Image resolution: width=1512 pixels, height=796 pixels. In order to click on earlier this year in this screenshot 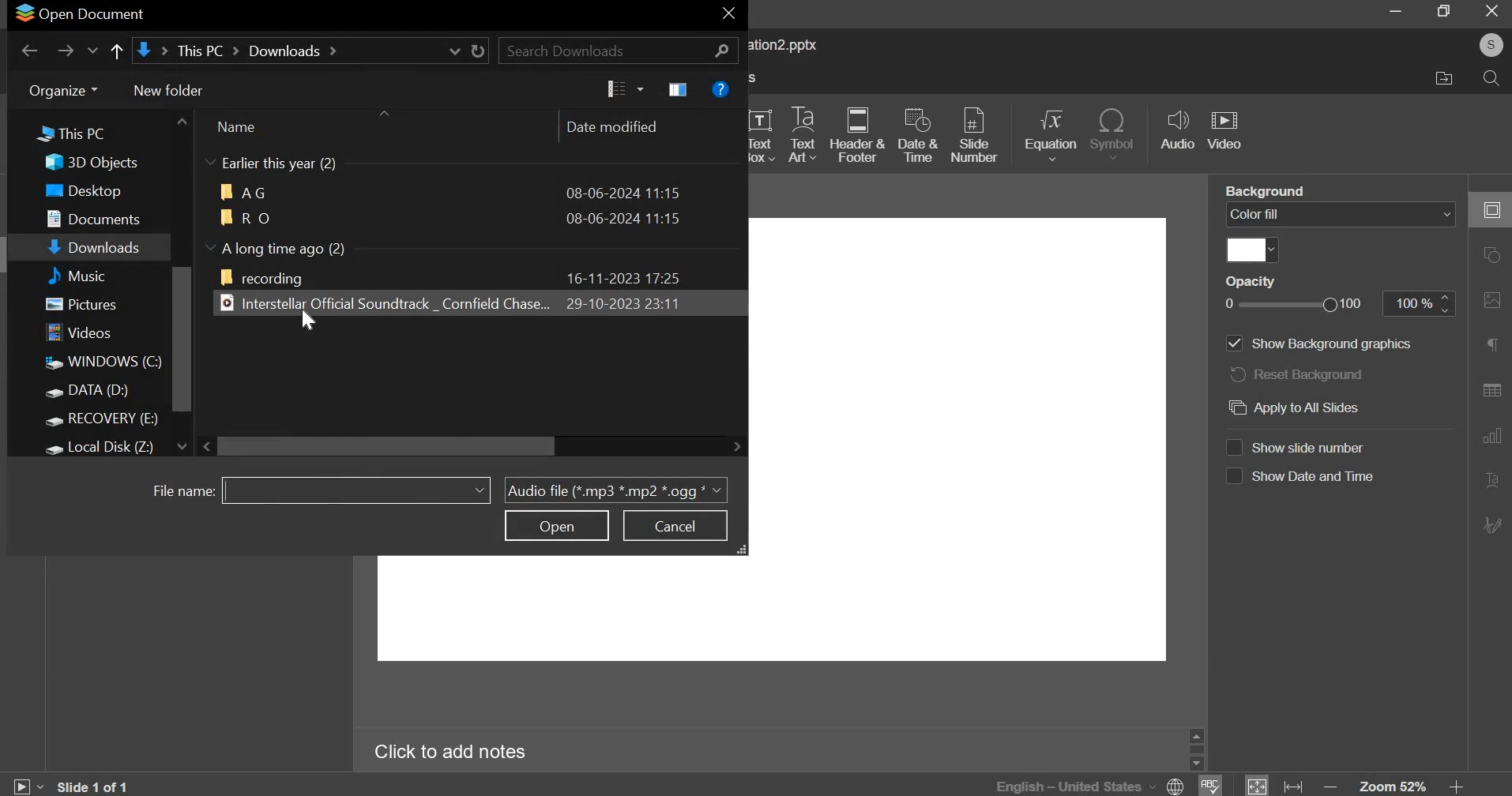, I will do `click(285, 164)`.